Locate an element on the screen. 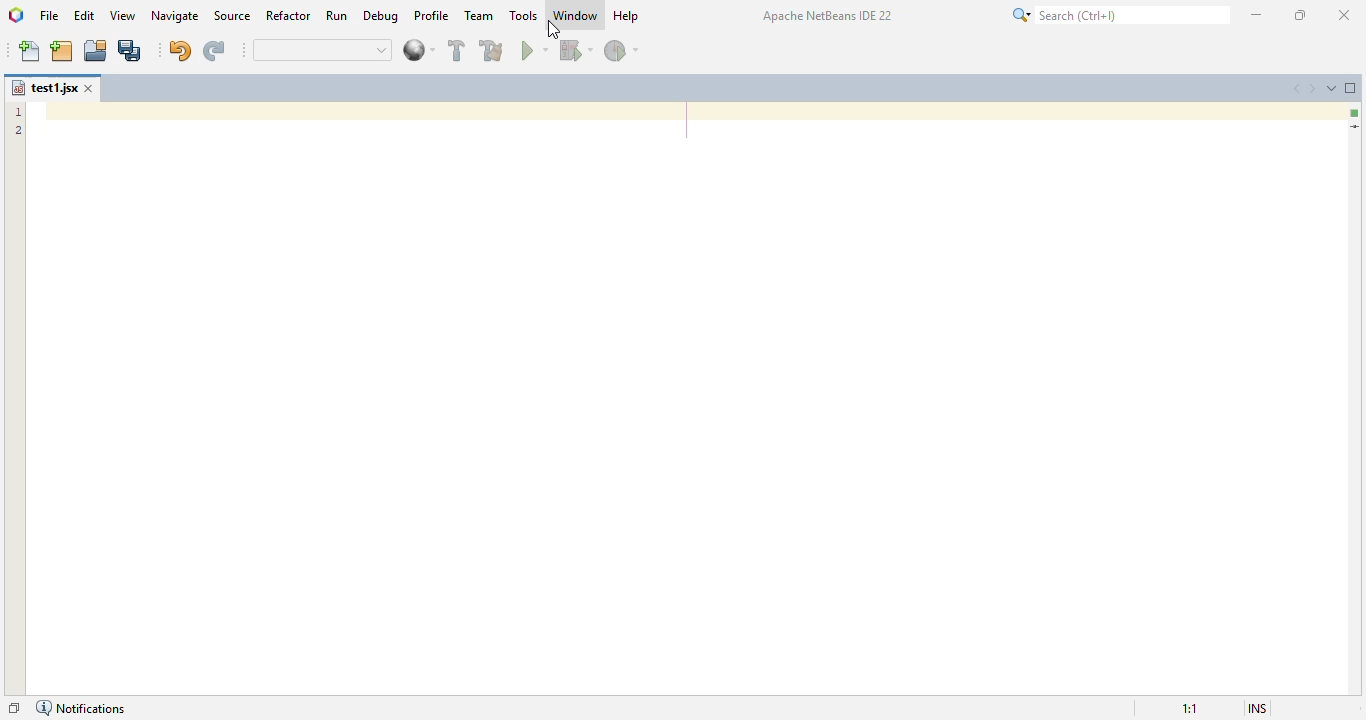 Image resolution: width=1366 pixels, height=720 pixels. team is located at coordinates (479, 15).